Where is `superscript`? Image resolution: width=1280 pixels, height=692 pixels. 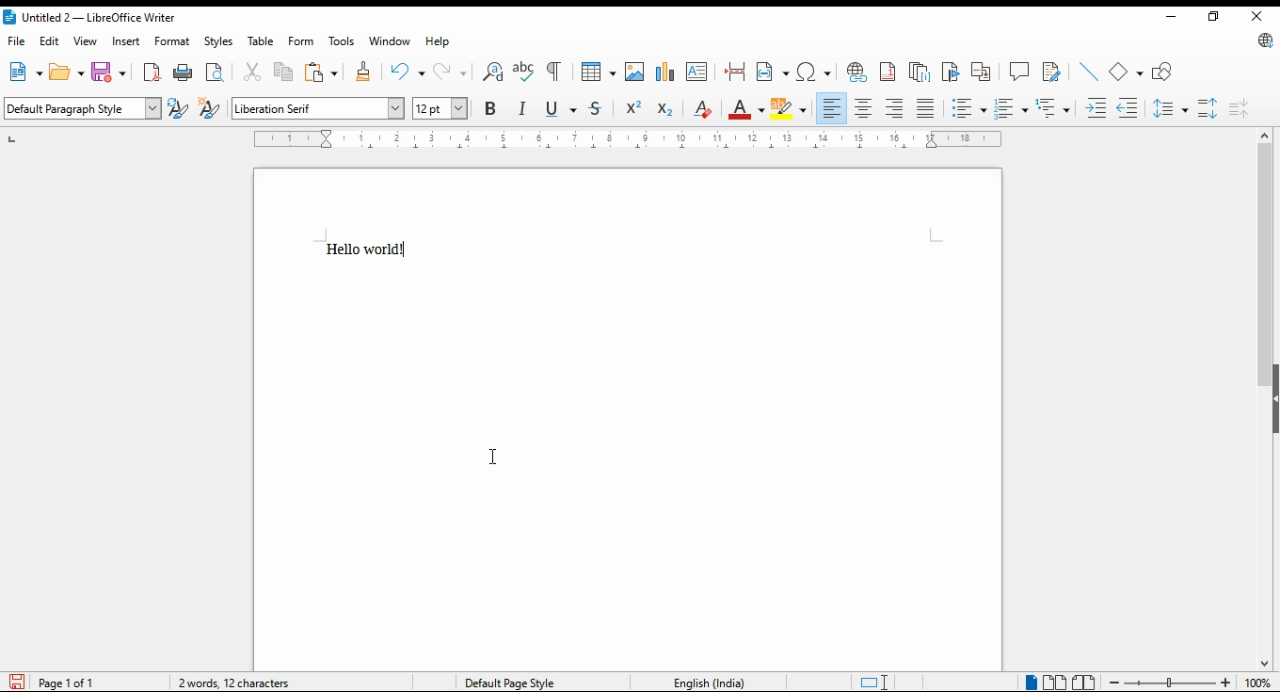
superscript is located at coordinates (633, 109).